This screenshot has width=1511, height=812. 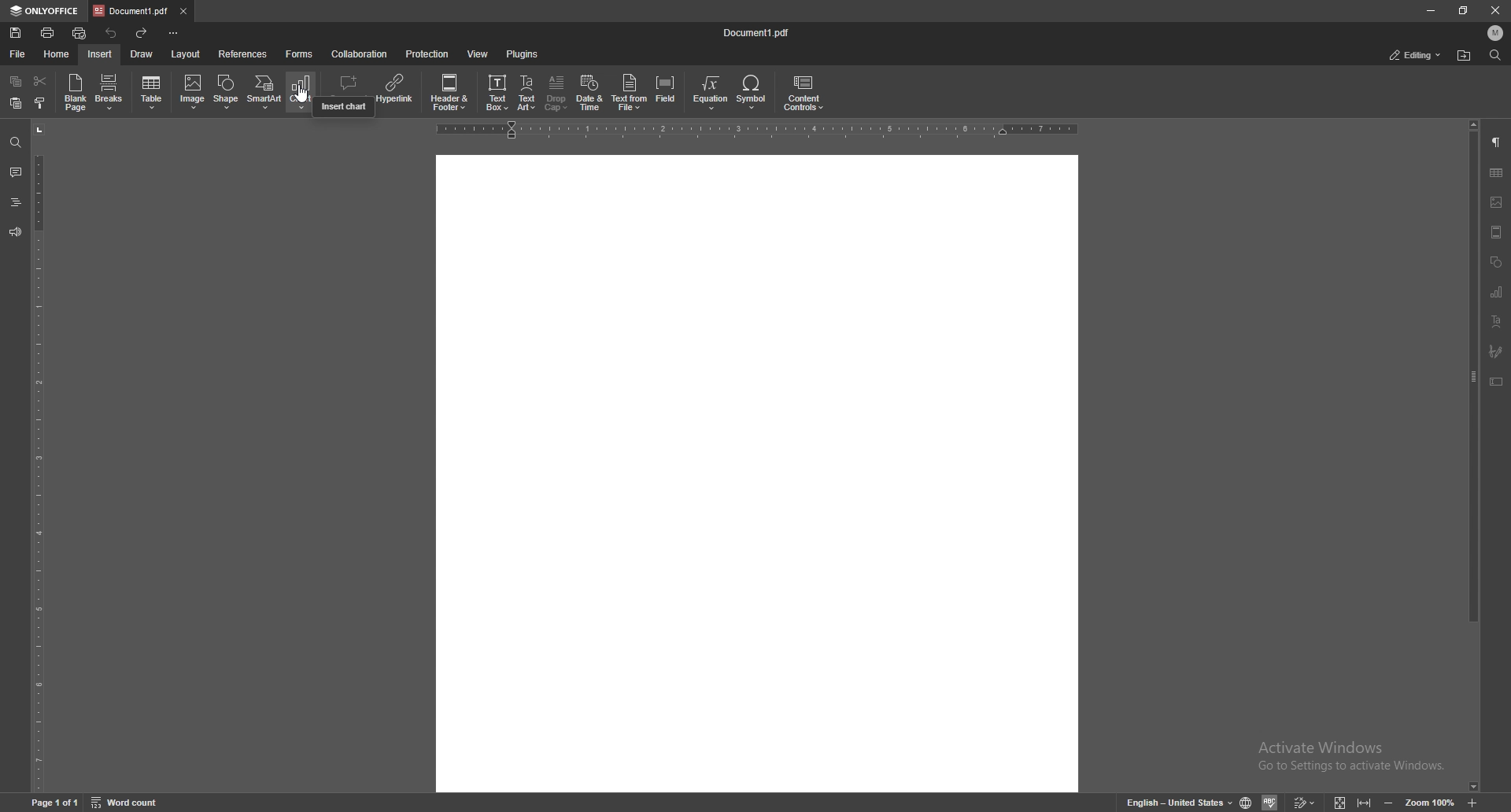 What do you see at coordinates (395, 92) in the screenshot?
I see `hyperlink` at bounding box center [395, 92].